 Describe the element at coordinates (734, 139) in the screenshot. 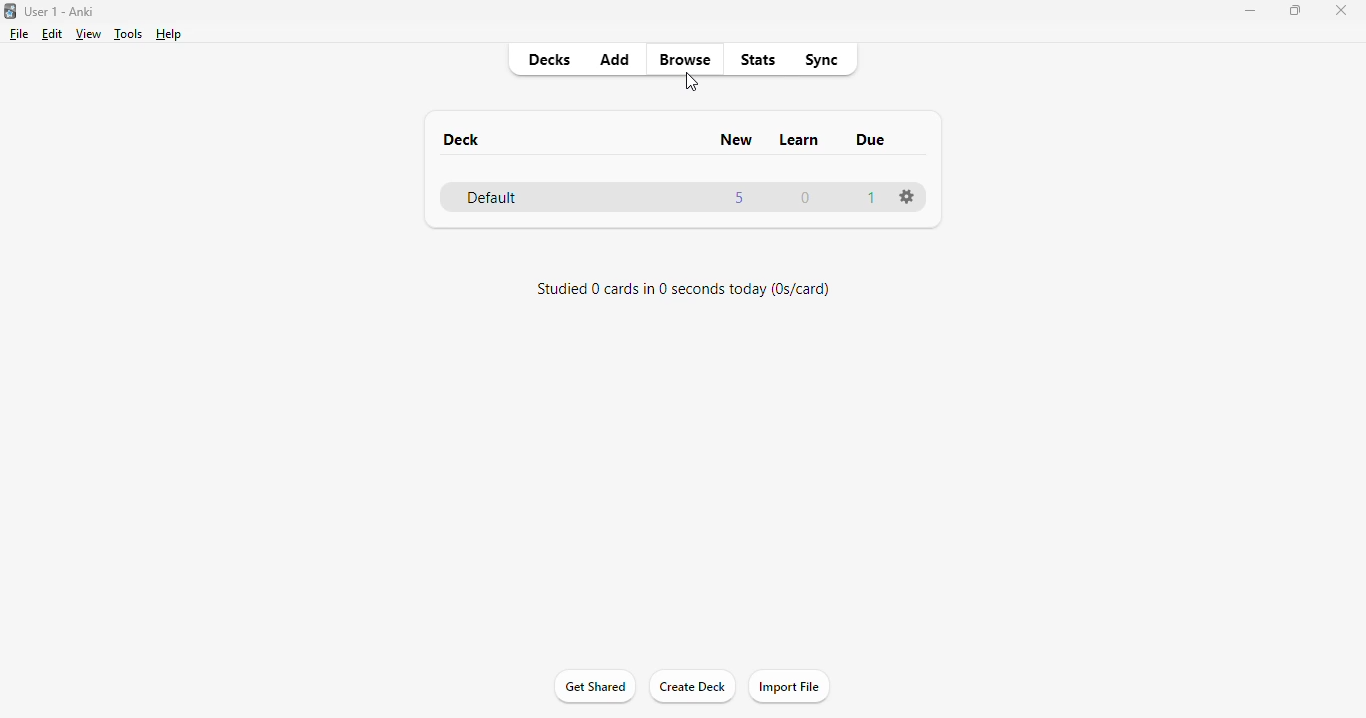

I see `new` at that location.